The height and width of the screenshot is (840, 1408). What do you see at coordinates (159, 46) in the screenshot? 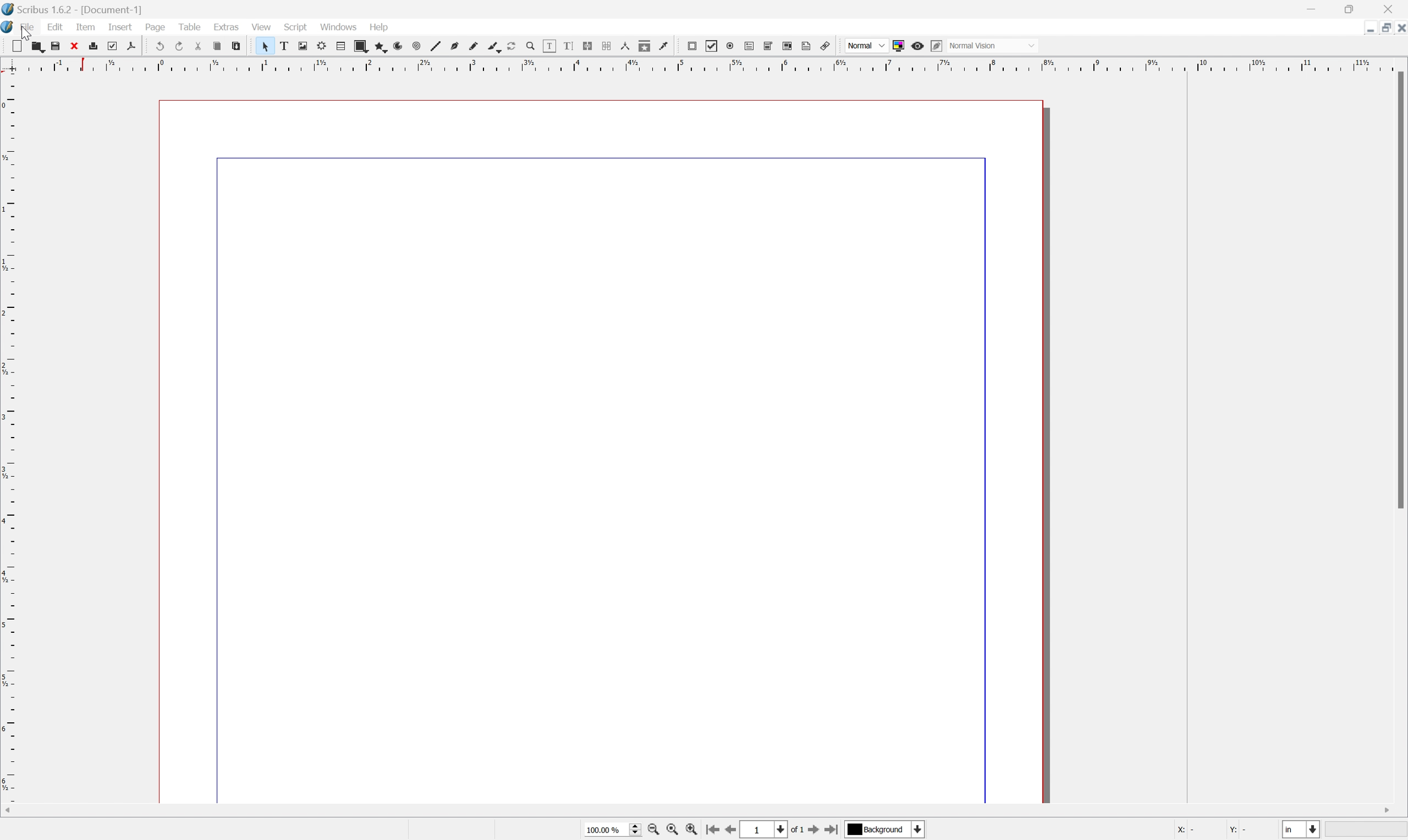
I see `Undo` at bounding box center [159, 46].